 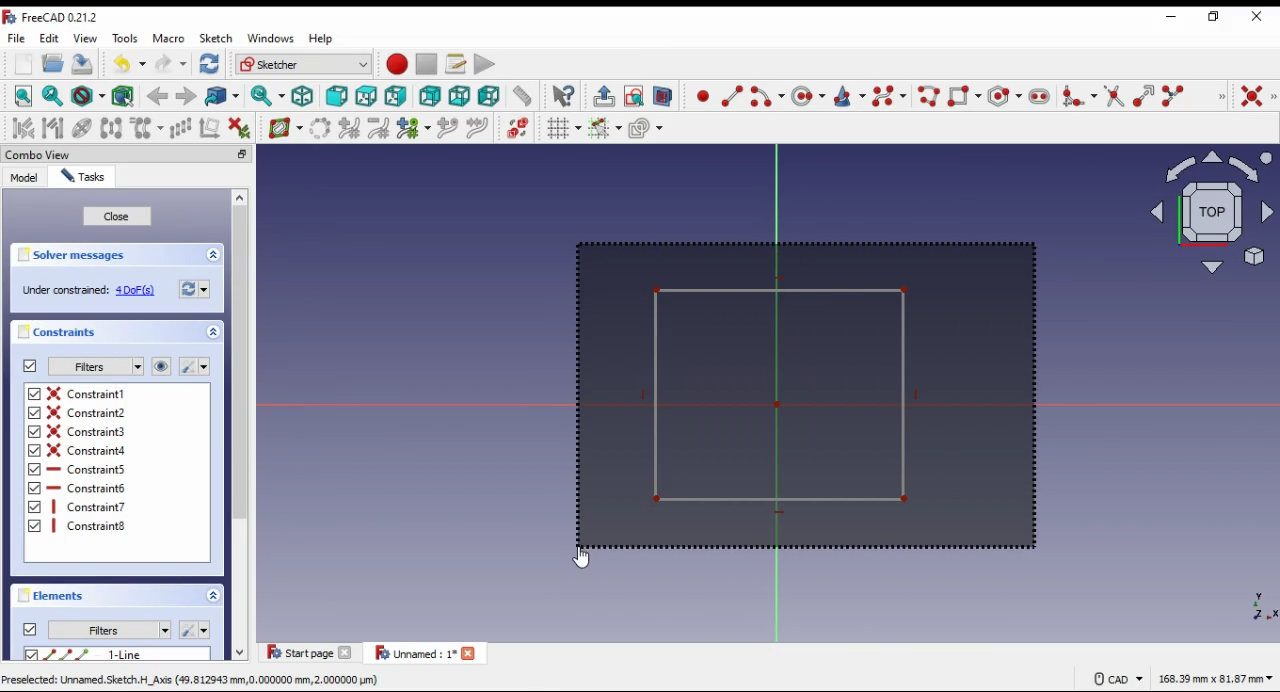 What do you see at coordinates (1174, 94) in the screenshot?
I see `split edge` at bounding box center [1174, 94].